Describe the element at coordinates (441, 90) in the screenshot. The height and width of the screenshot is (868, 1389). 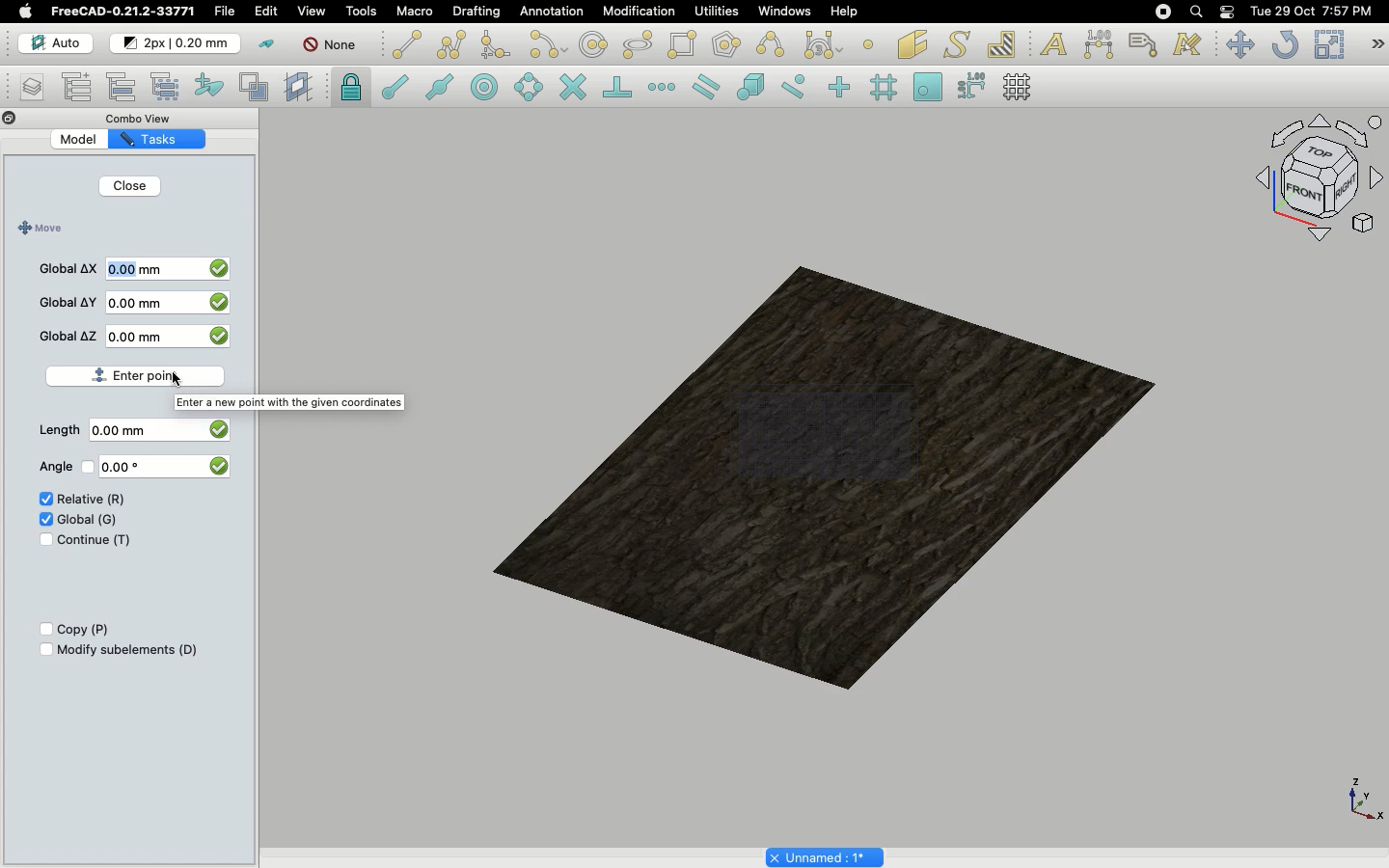
I see `Snap midpoint` at that location.